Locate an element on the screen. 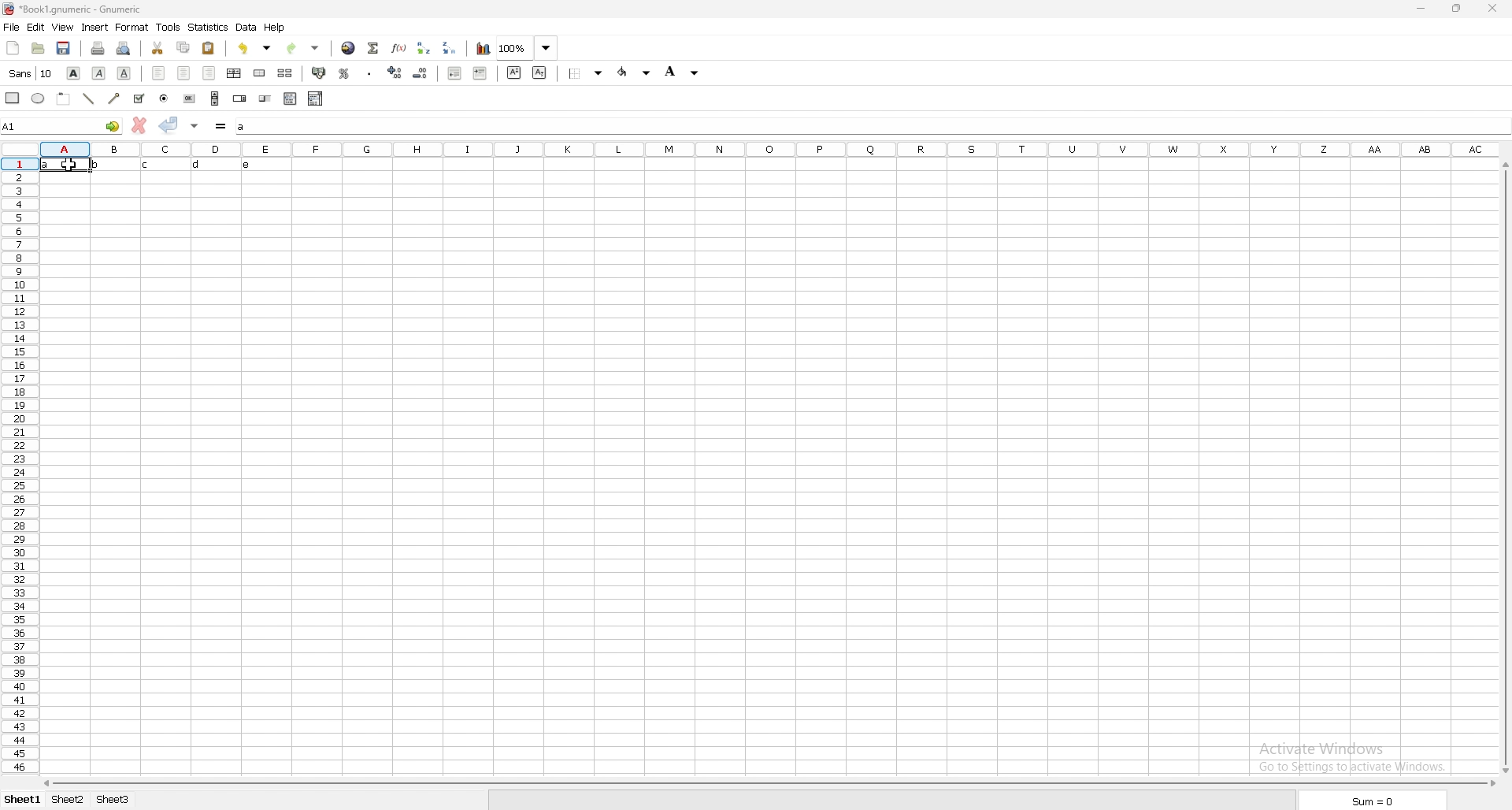 The height and width of the screenshot is (810, 1512). save is located at coordinates (65, 48).